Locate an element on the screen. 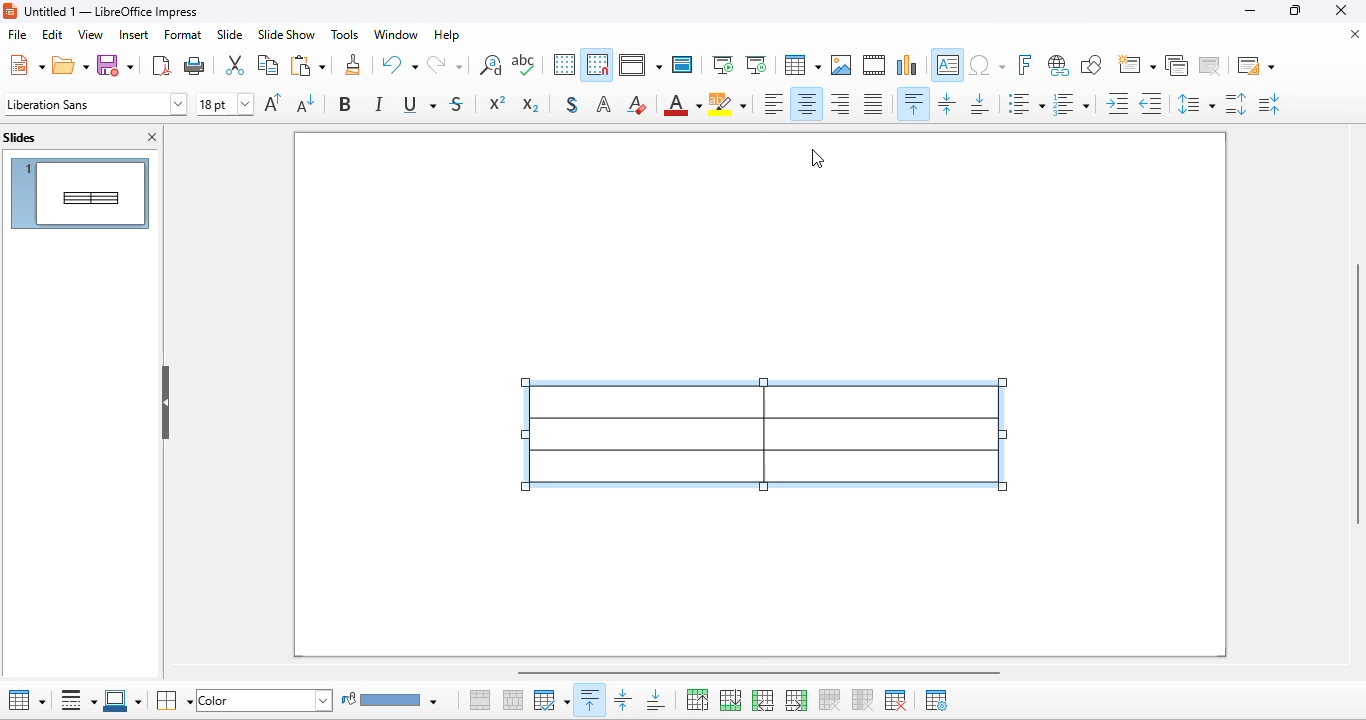 The height and width of the screenshot is (720, 1366). font size is located at coordinates (225, 105).